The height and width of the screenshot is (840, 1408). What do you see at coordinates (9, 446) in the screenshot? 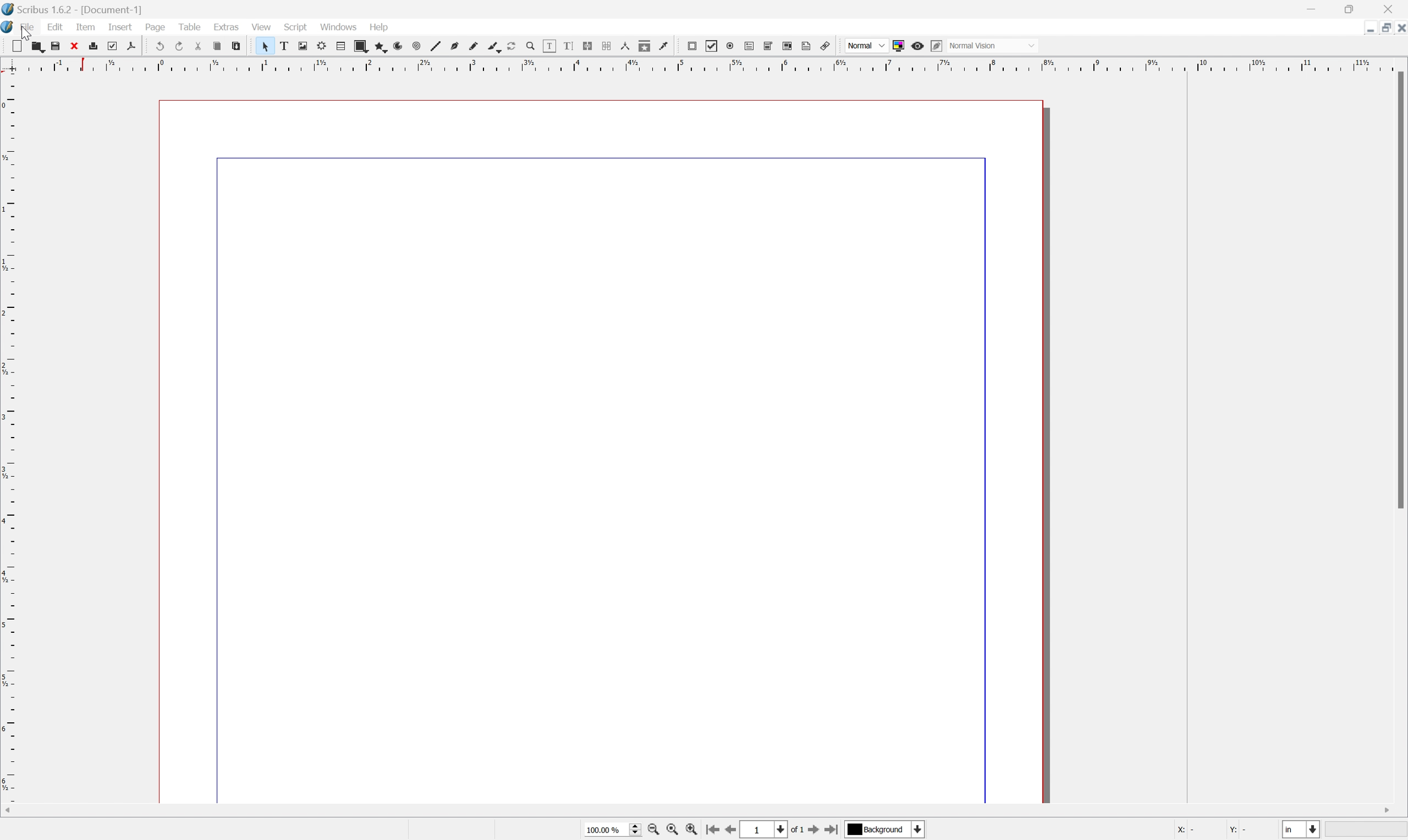
I see `Ruler` at bounding box center [9, 446].